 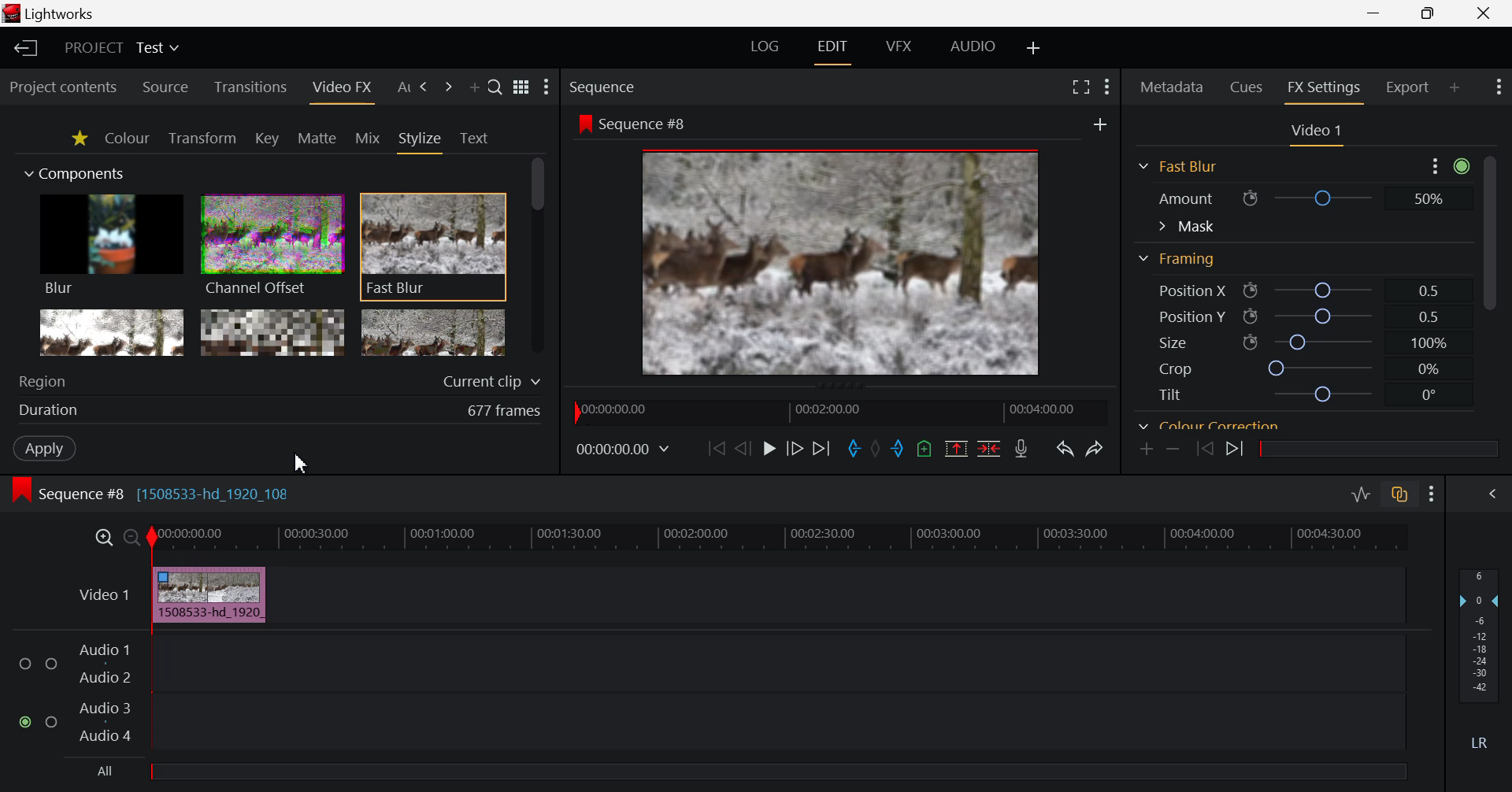 I want to click on Add Panel, so click(x=1455, y=87).